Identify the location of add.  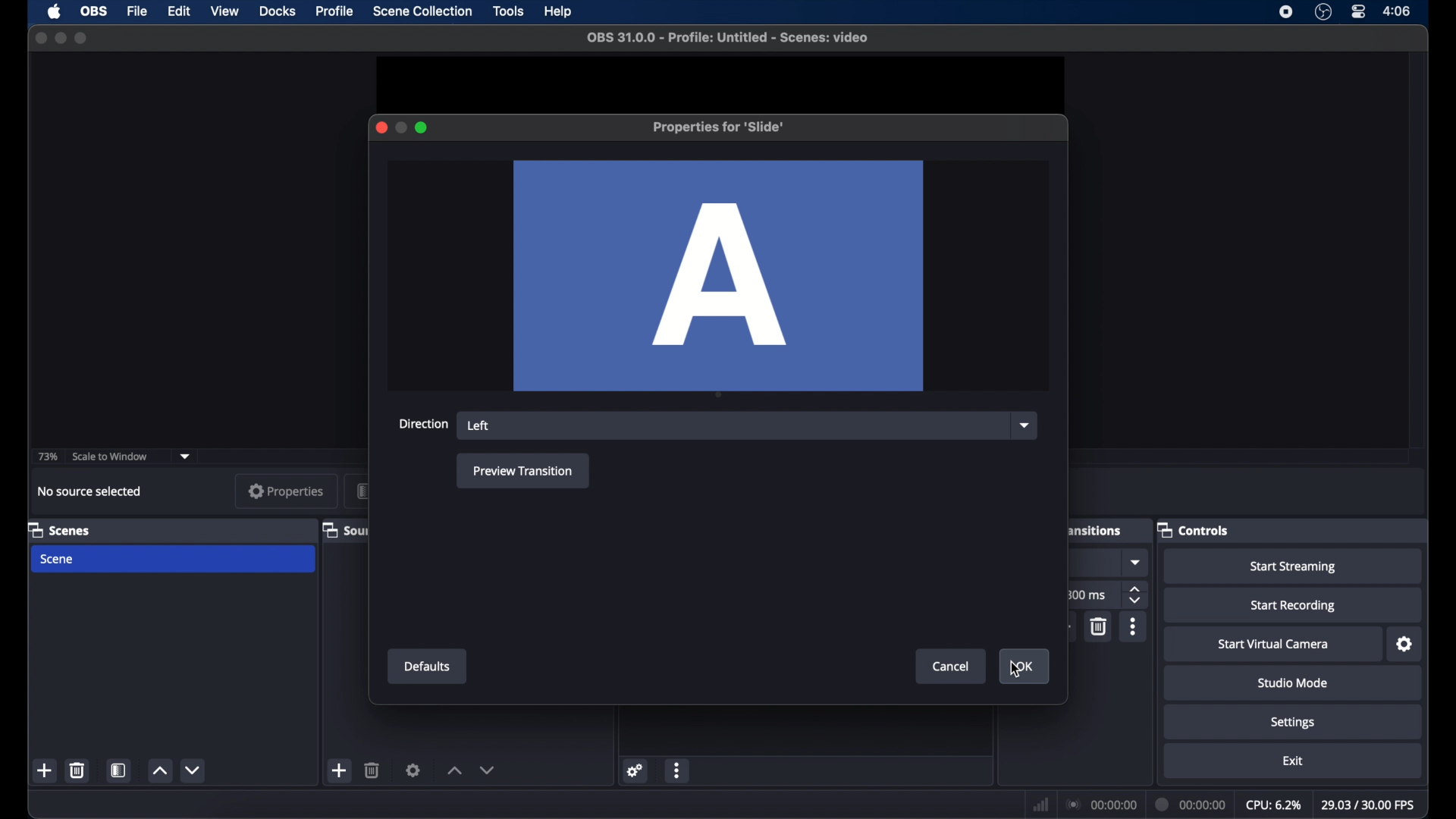
(45, 770).